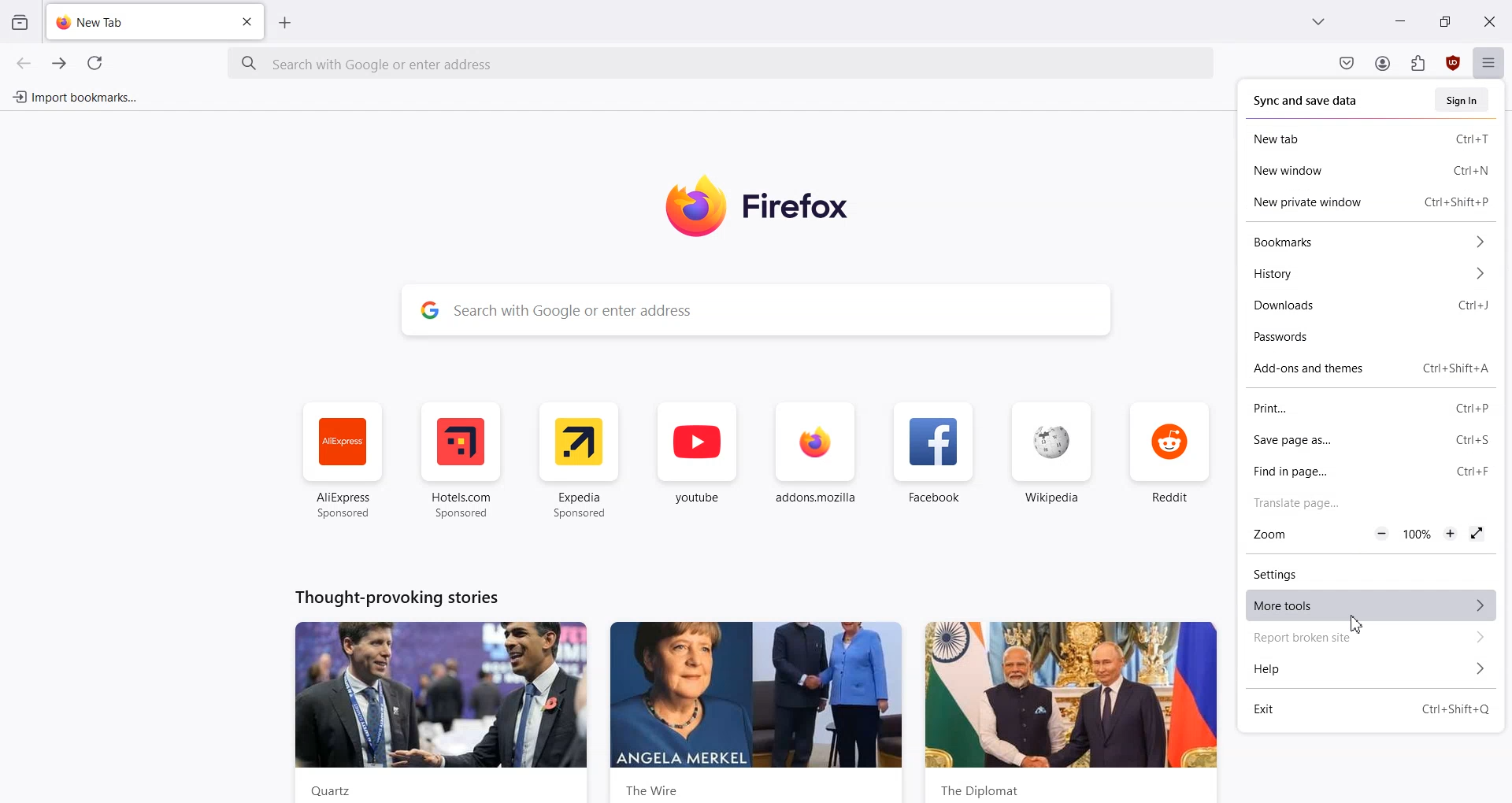 This screenshot has height=803, width=1512. Describe the element at coordinates (1311, 709) in the screenshot. I see `Exit` at that location.